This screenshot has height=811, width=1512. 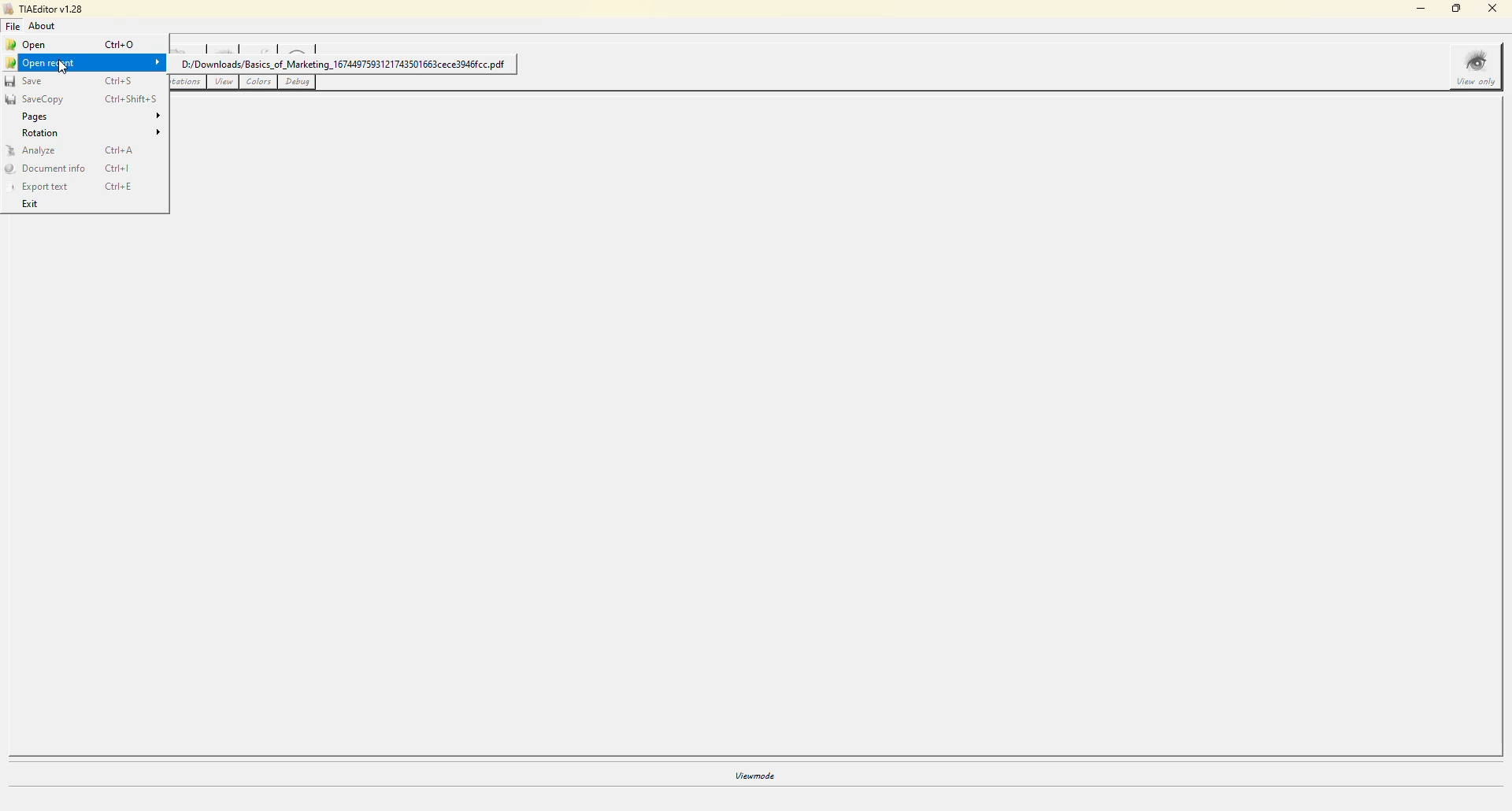 I want to click on expand, so click(x=159, y=116).